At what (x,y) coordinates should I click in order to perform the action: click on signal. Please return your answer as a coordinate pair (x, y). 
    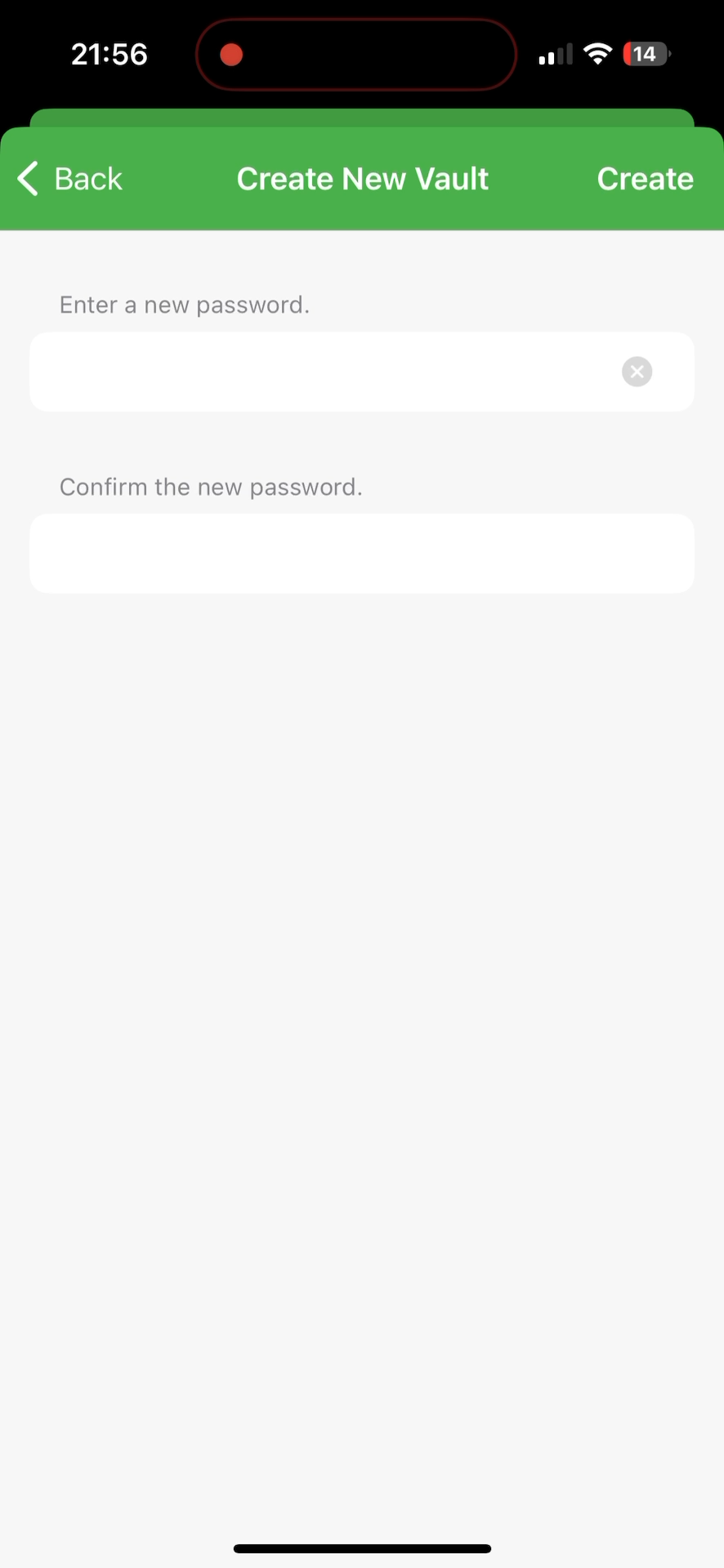
    Looking at the image, I should click on (553, 55).